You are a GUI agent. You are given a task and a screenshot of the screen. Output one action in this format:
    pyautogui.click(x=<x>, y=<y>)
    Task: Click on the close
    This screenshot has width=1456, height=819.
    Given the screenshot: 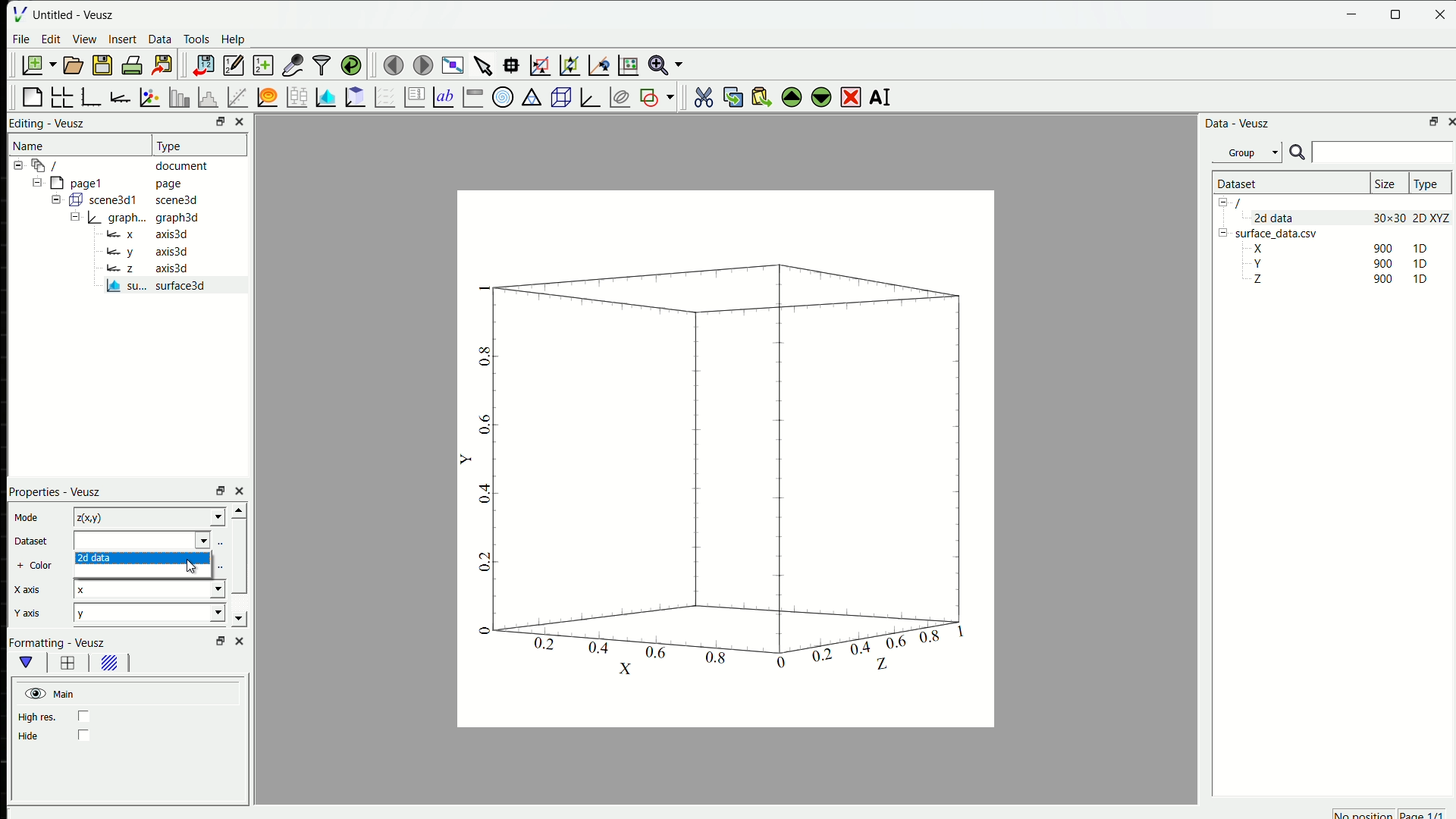 What is the action you would take?
    pyautogui.click(x=1440, y=13)
    